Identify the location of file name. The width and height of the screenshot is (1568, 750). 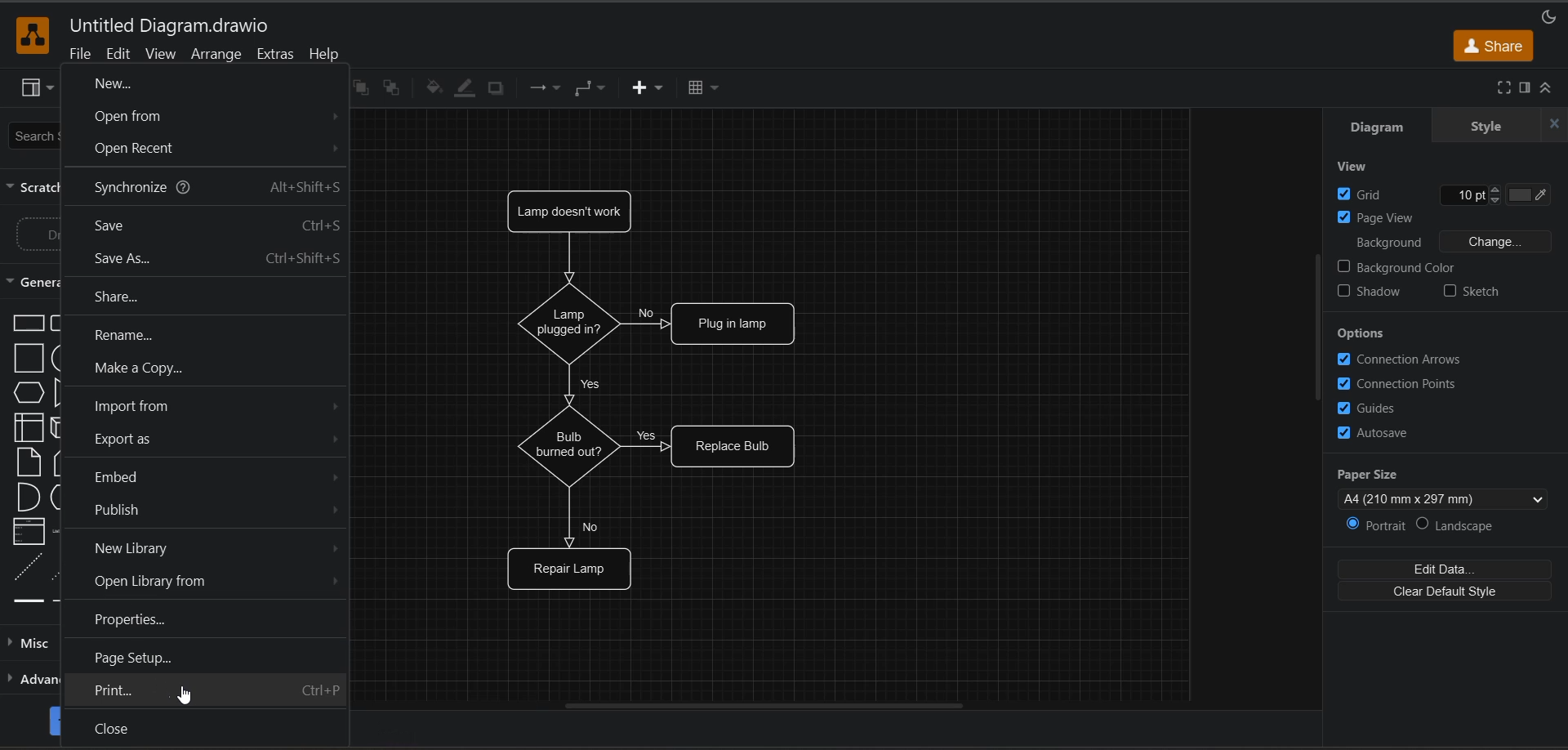
(171, 27).